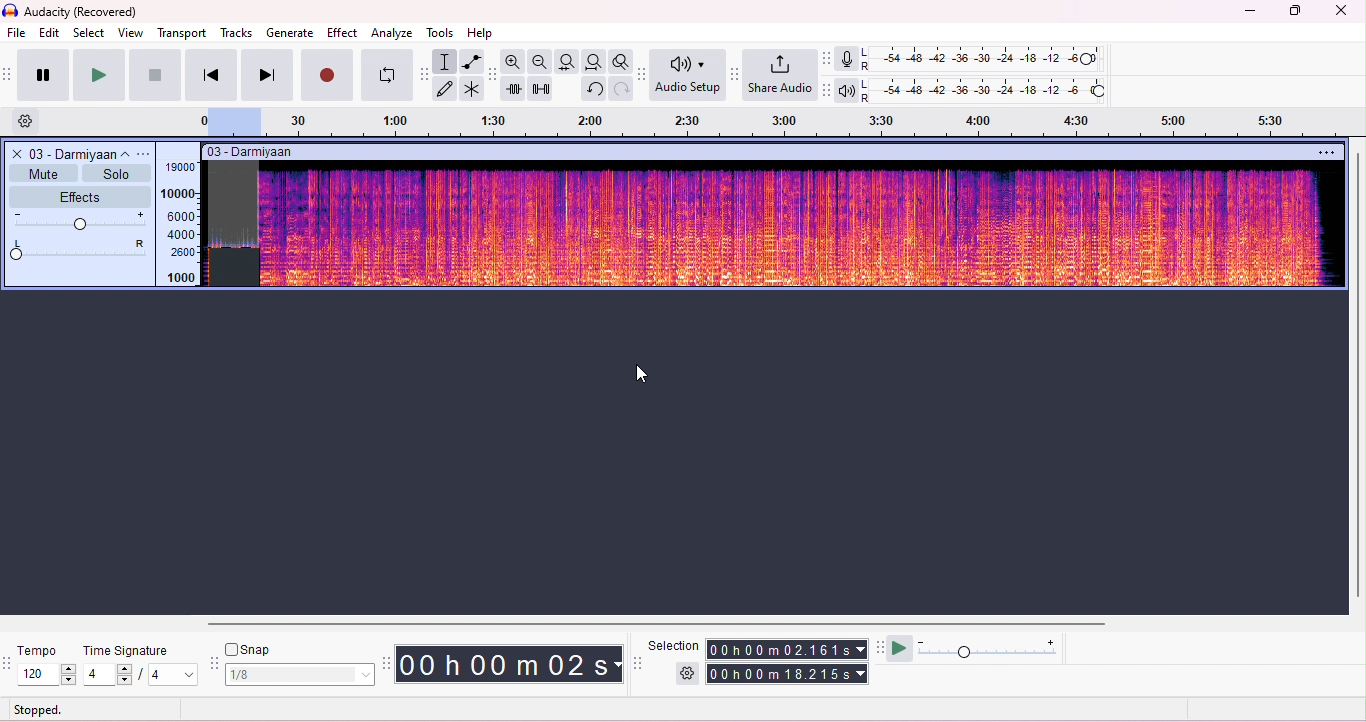 The image size is (1366, 722). What do you see at coordinates (1357, 376) in the screenshot?
I see `vertical scroll bar` at bounding box center [1357, 376].